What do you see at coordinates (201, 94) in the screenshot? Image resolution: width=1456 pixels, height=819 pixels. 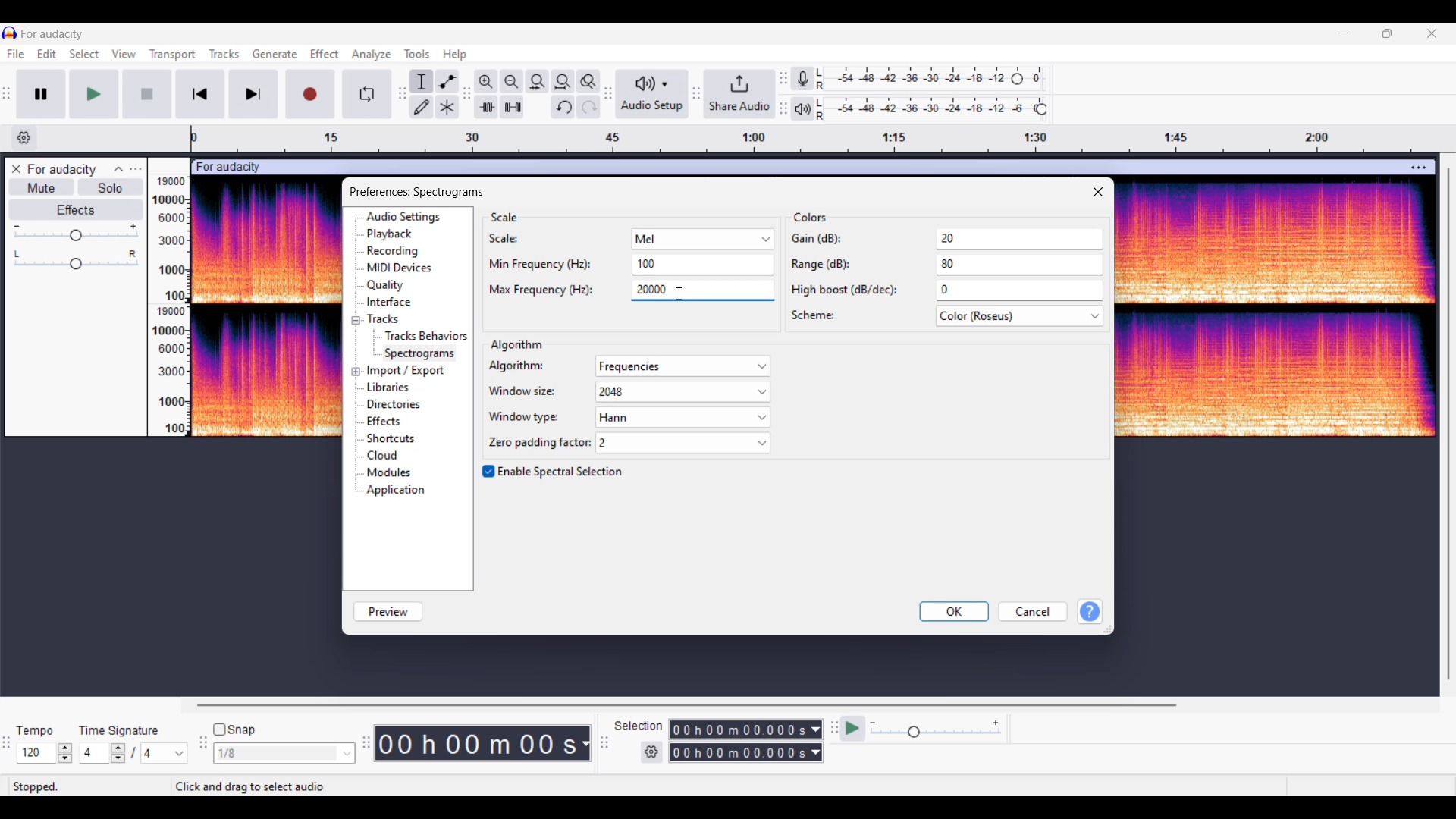 I see `Skip/Select to start` at bounding box center [201, 94].